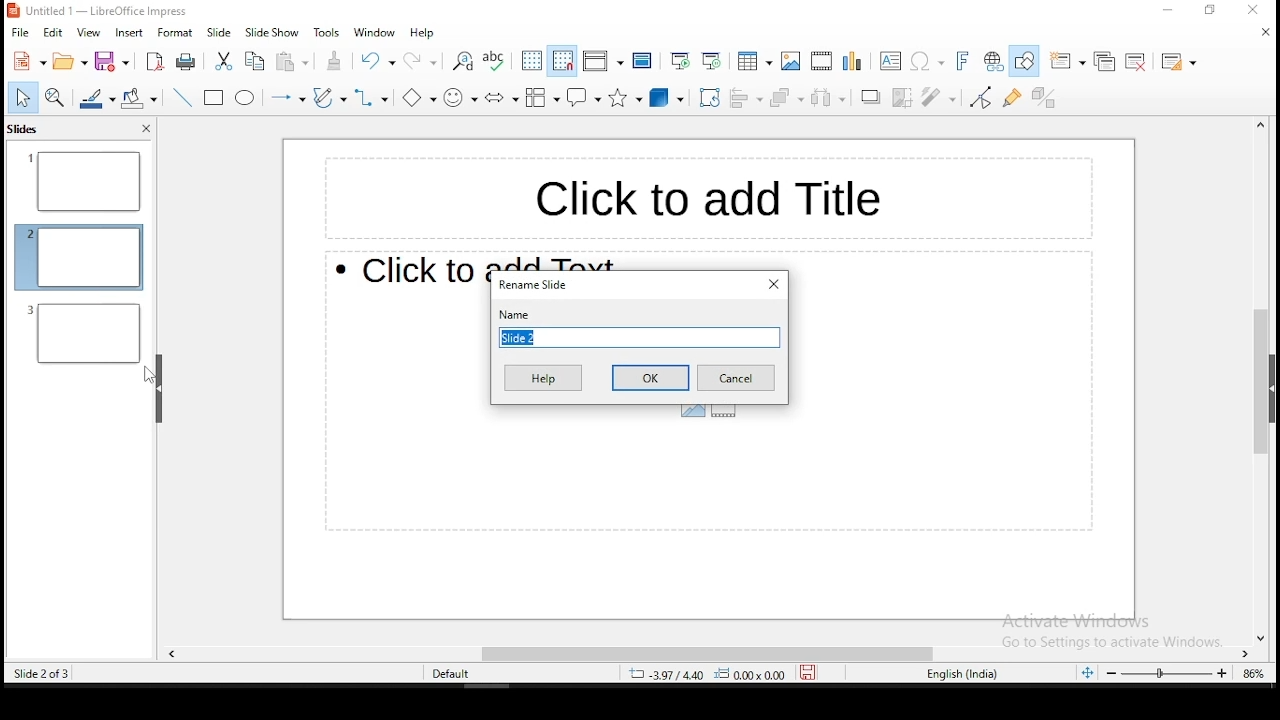  I want to click on 3D shapes, so click(668, 99).